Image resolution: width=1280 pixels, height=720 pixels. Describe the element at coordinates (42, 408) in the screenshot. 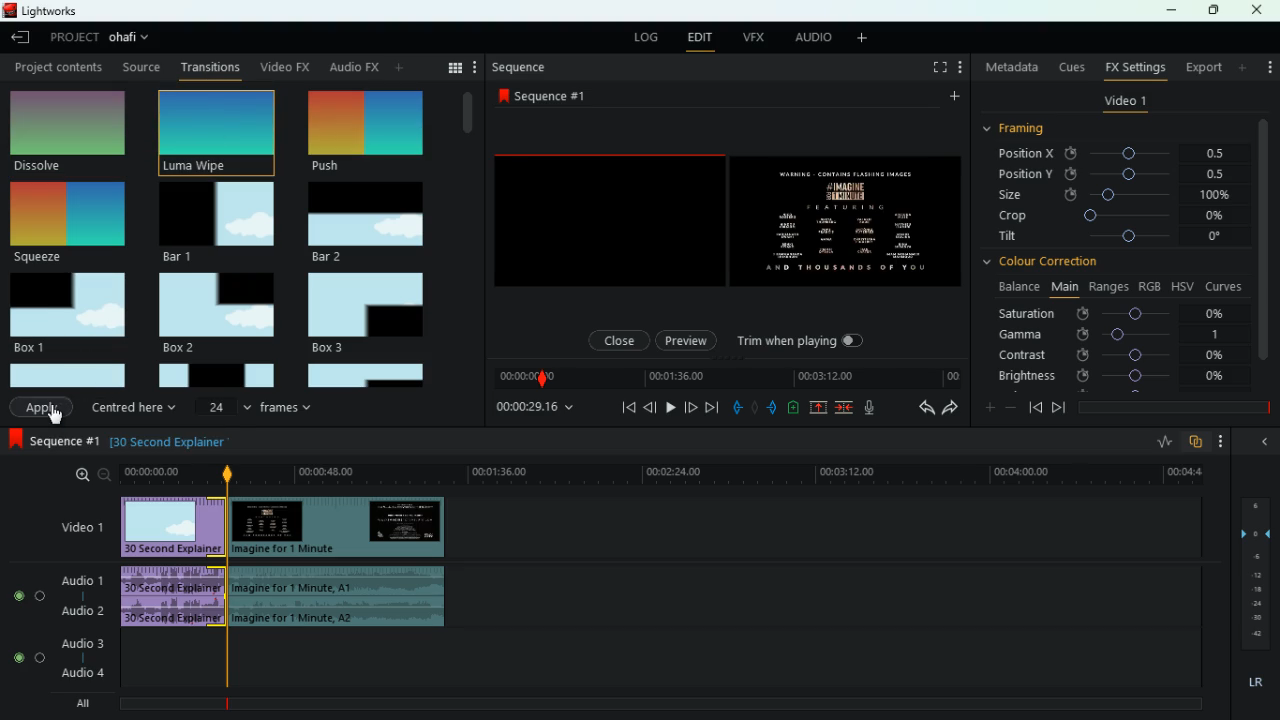

I see `Apply` at that location.